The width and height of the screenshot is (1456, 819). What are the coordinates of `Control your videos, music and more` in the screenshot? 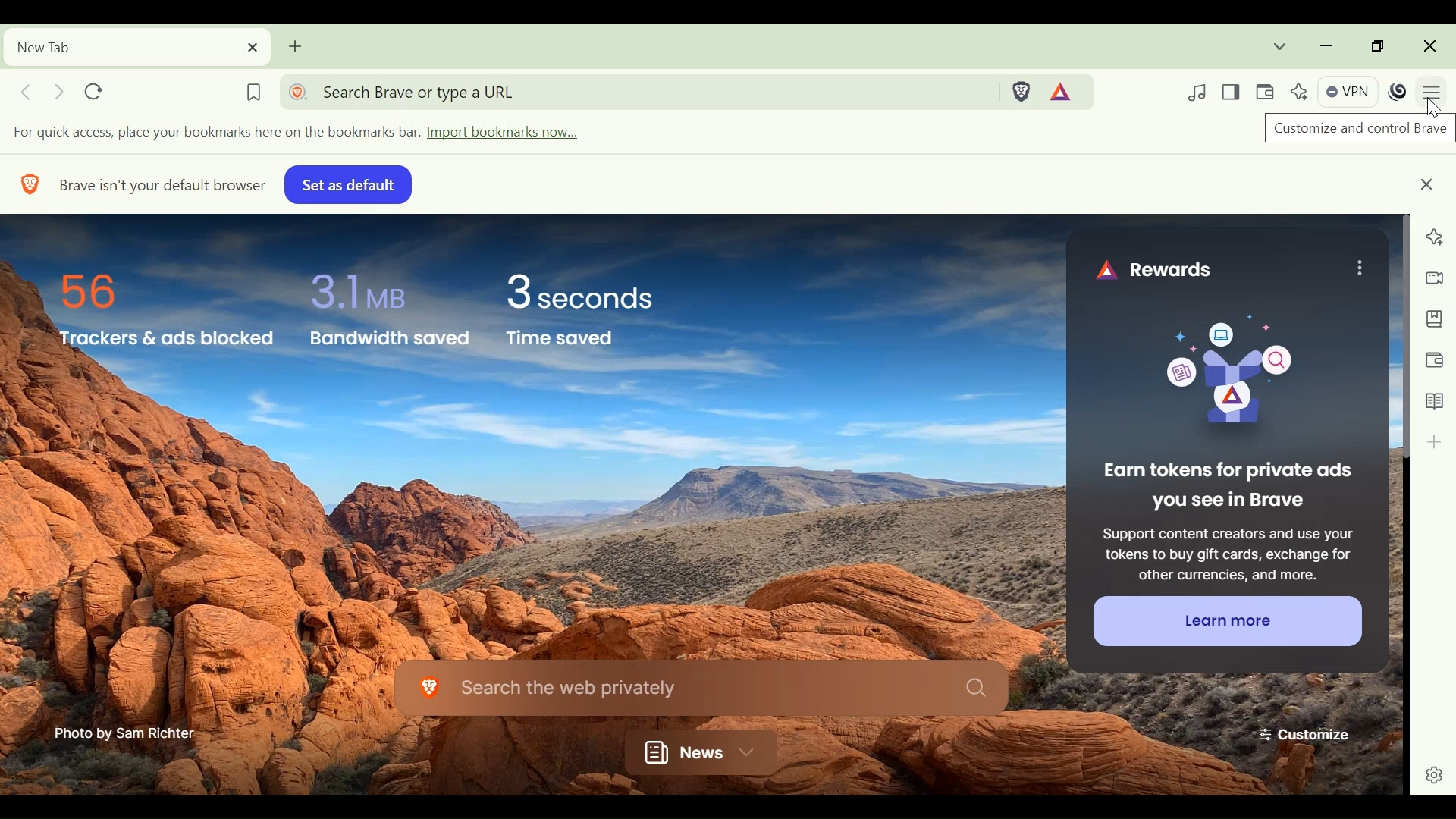 It's located at (1197, 92).